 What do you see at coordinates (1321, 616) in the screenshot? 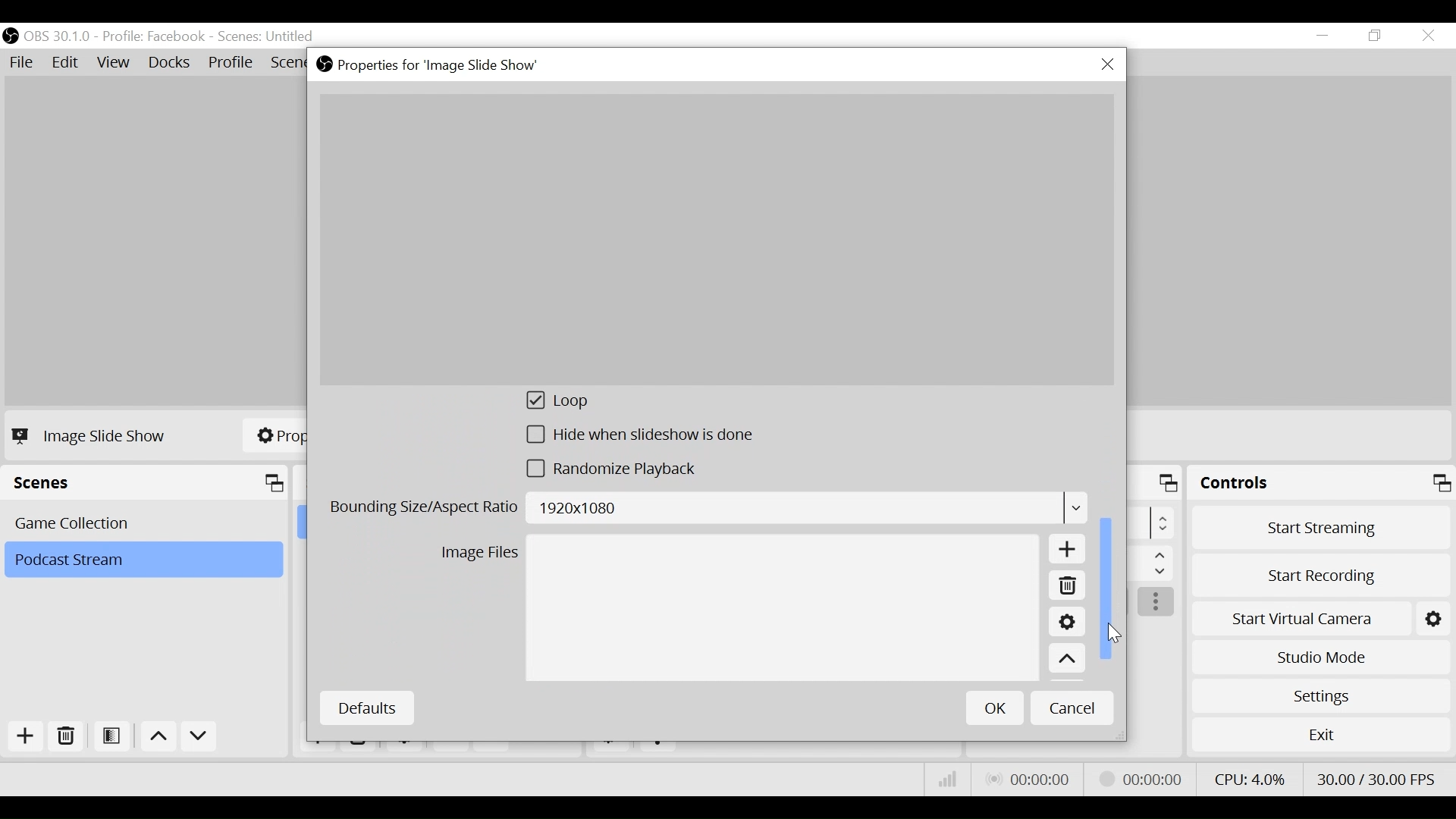
I see `Start Virtual Camera` at bounding box center [1321, 616].